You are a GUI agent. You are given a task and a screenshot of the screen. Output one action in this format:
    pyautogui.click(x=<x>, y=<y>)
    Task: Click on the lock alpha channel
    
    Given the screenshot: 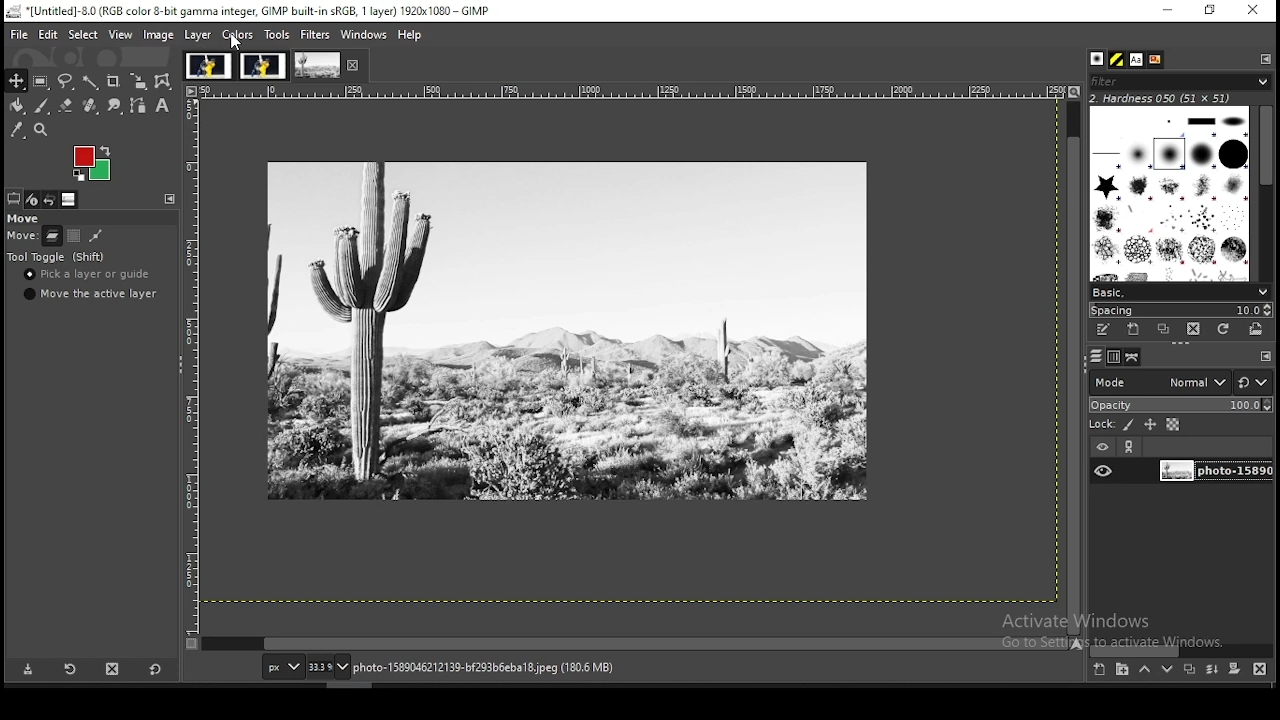 What is the action you would take?
    pyautogui.click(x=1174, y=424)
    